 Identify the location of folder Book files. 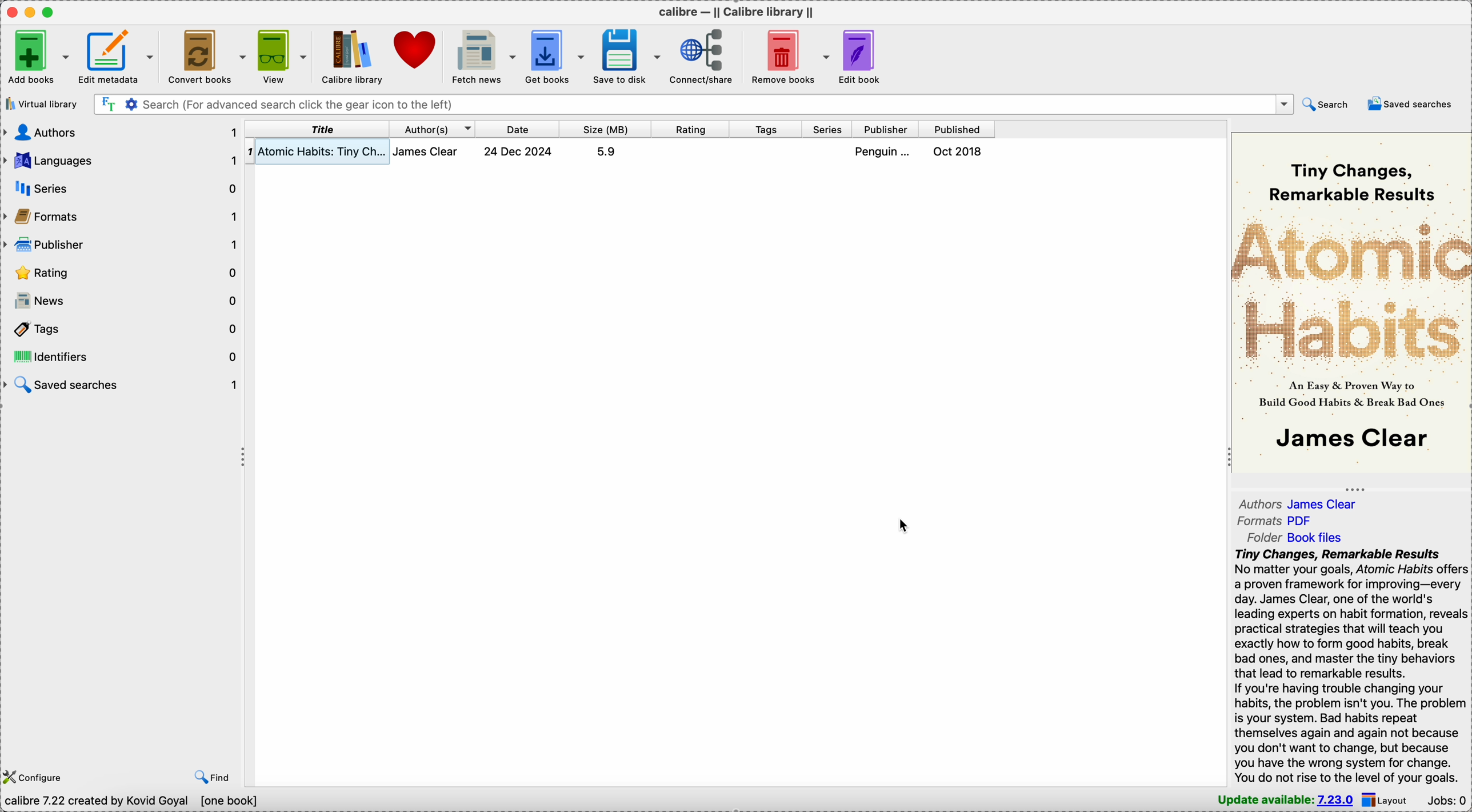
(1294, 538).